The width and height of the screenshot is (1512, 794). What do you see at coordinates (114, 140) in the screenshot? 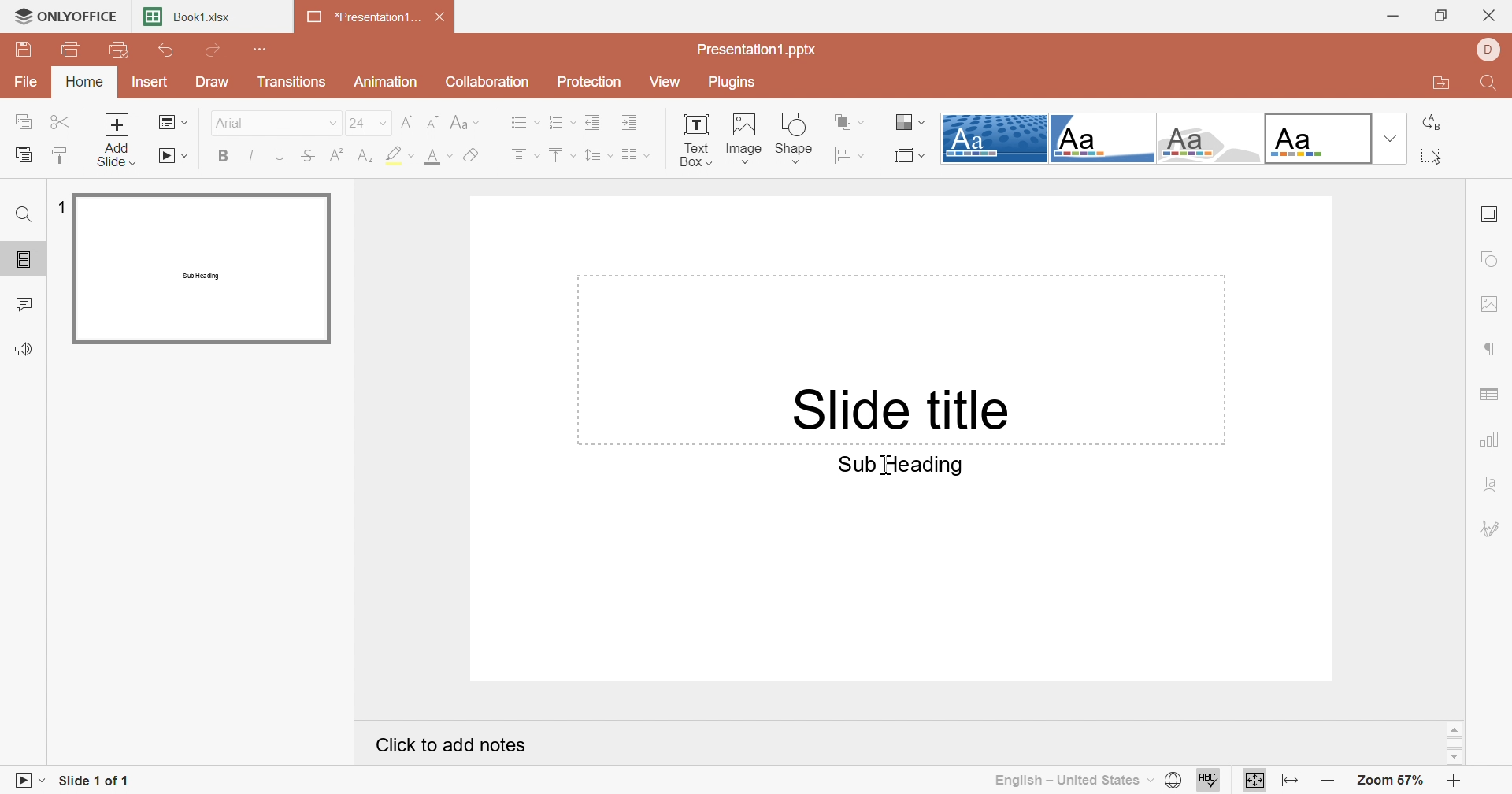
I see `Add slide` at bounding box center [114, 140].